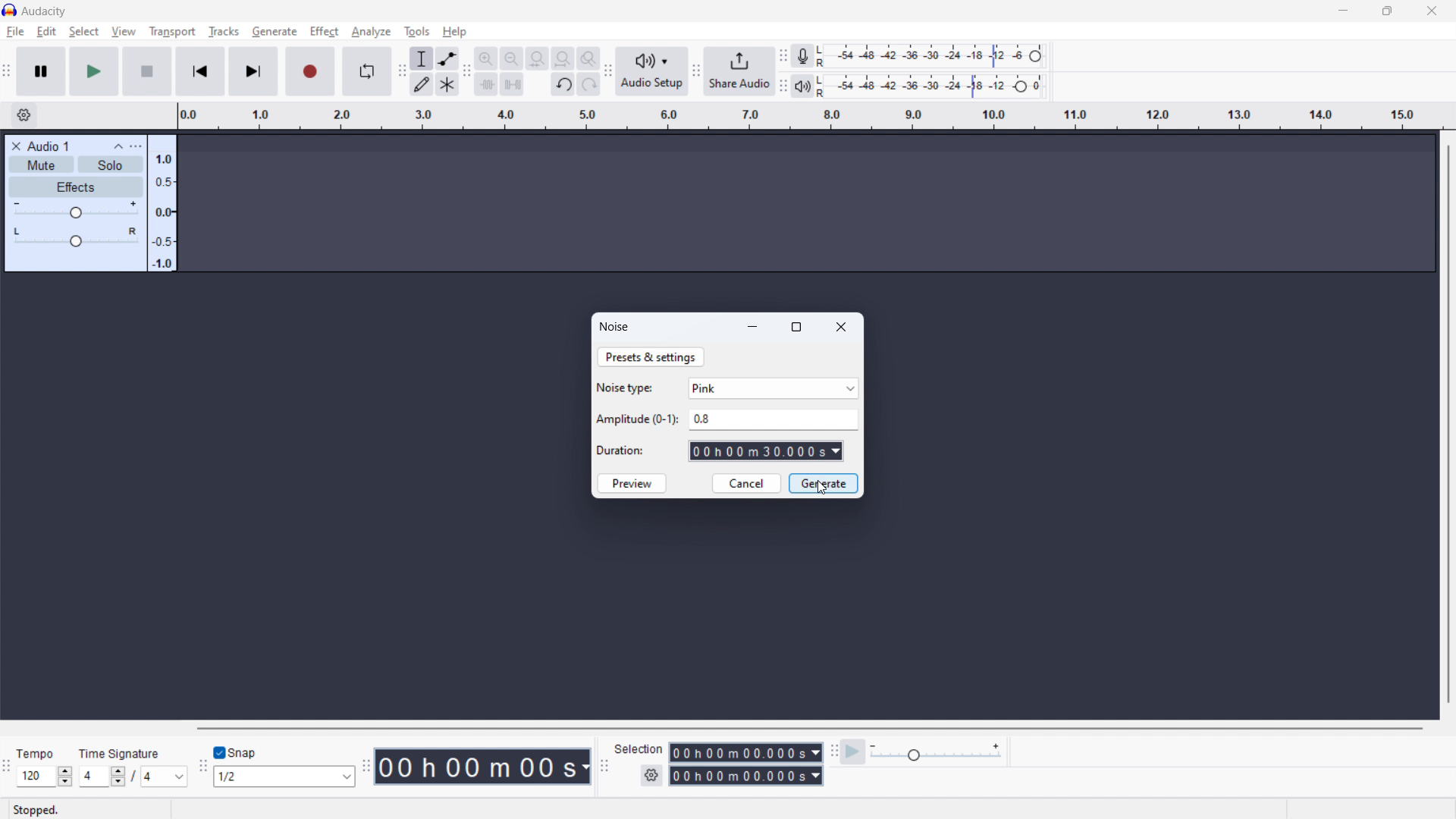 The width and height of the screenshot is (1456, 819). Describe the element at coordinates (696, 71) in the screenshot. I see `share audio toolbar` at that location.